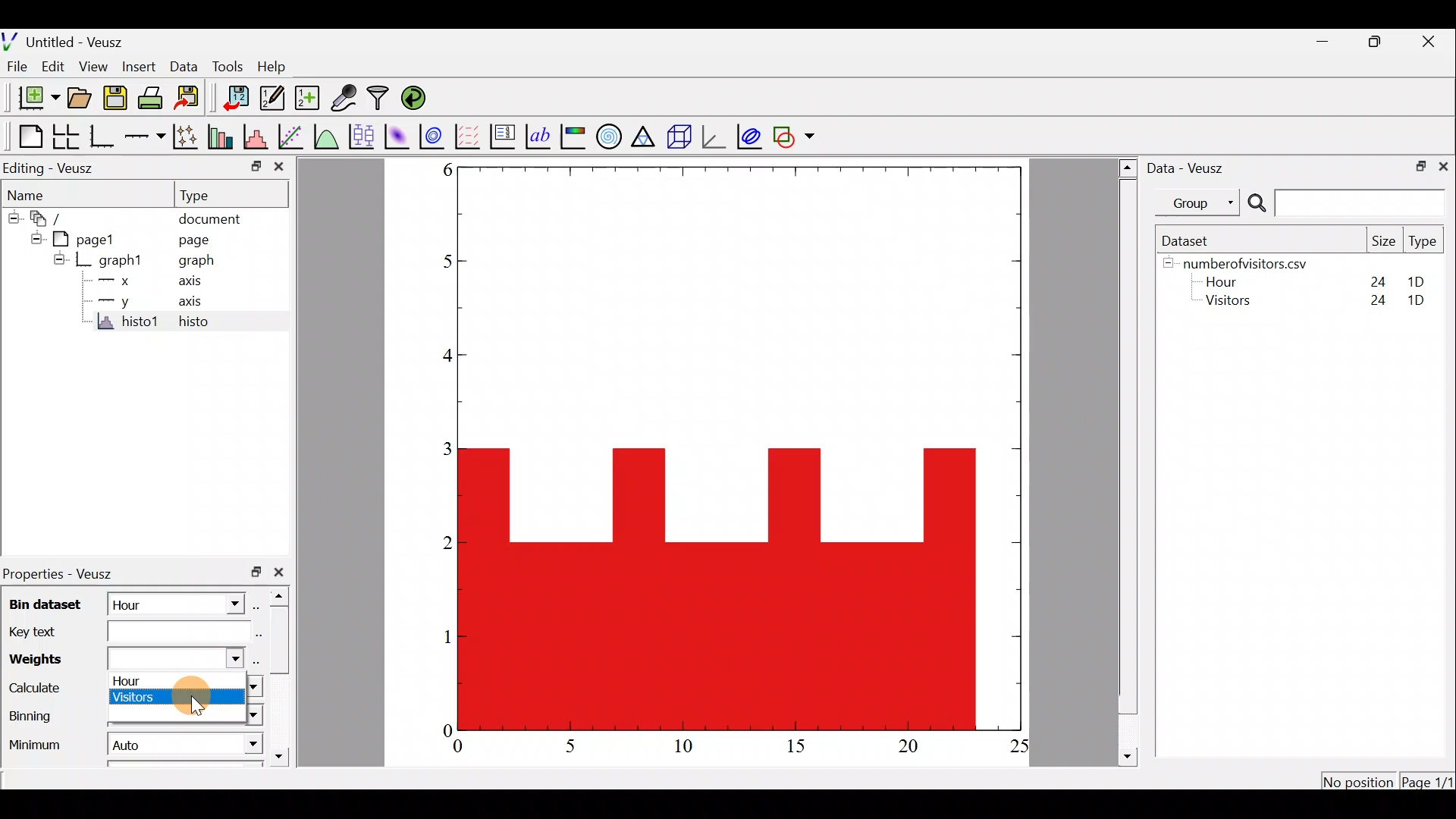 The height and width of the screenshot is (819, 1456). Describe the element at coordinates (196, 240) in the screenshot. I see `page` at that location.